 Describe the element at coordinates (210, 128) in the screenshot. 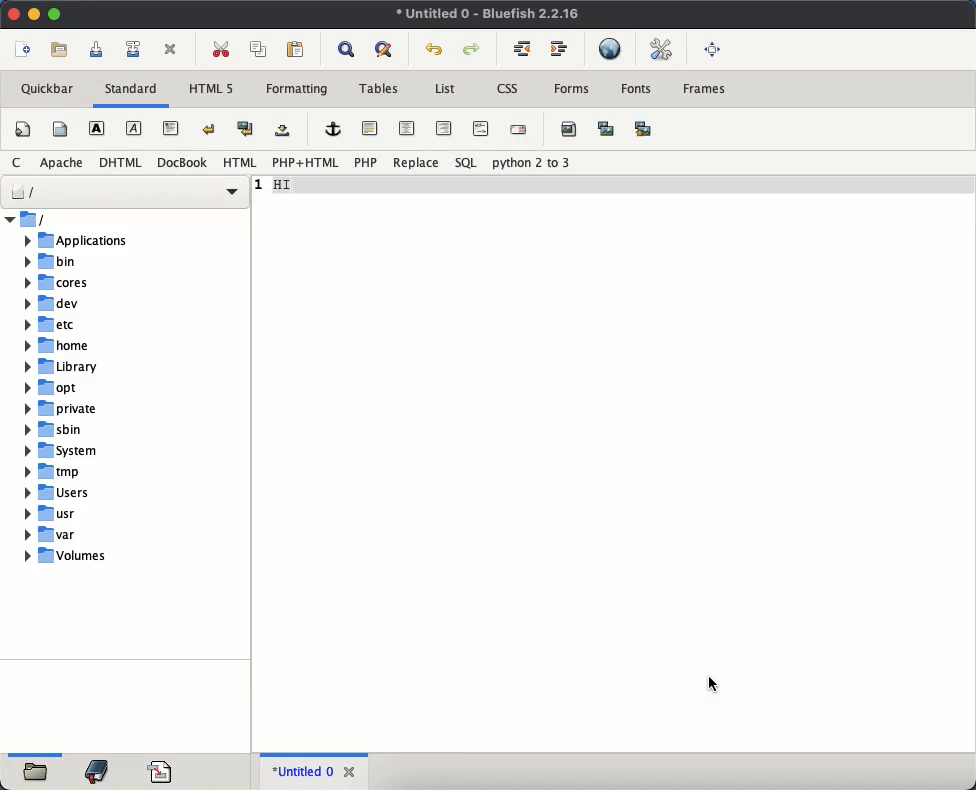

I see `break` at that location.